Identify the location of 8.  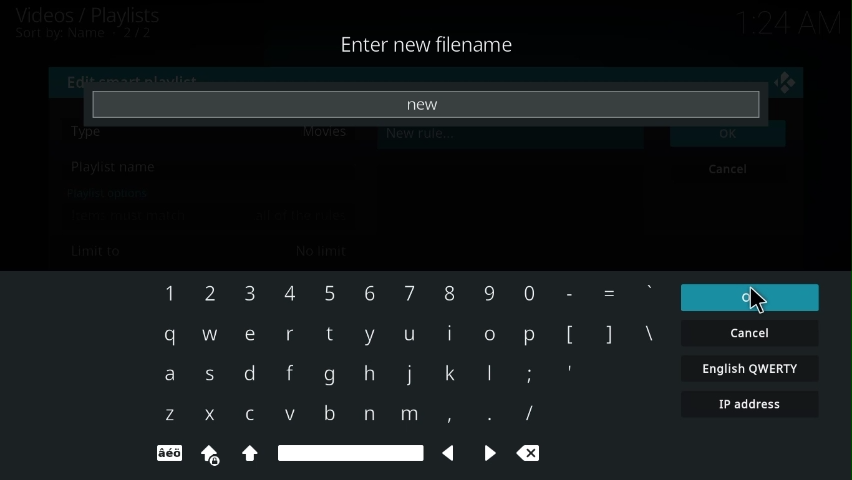
(447, 294).